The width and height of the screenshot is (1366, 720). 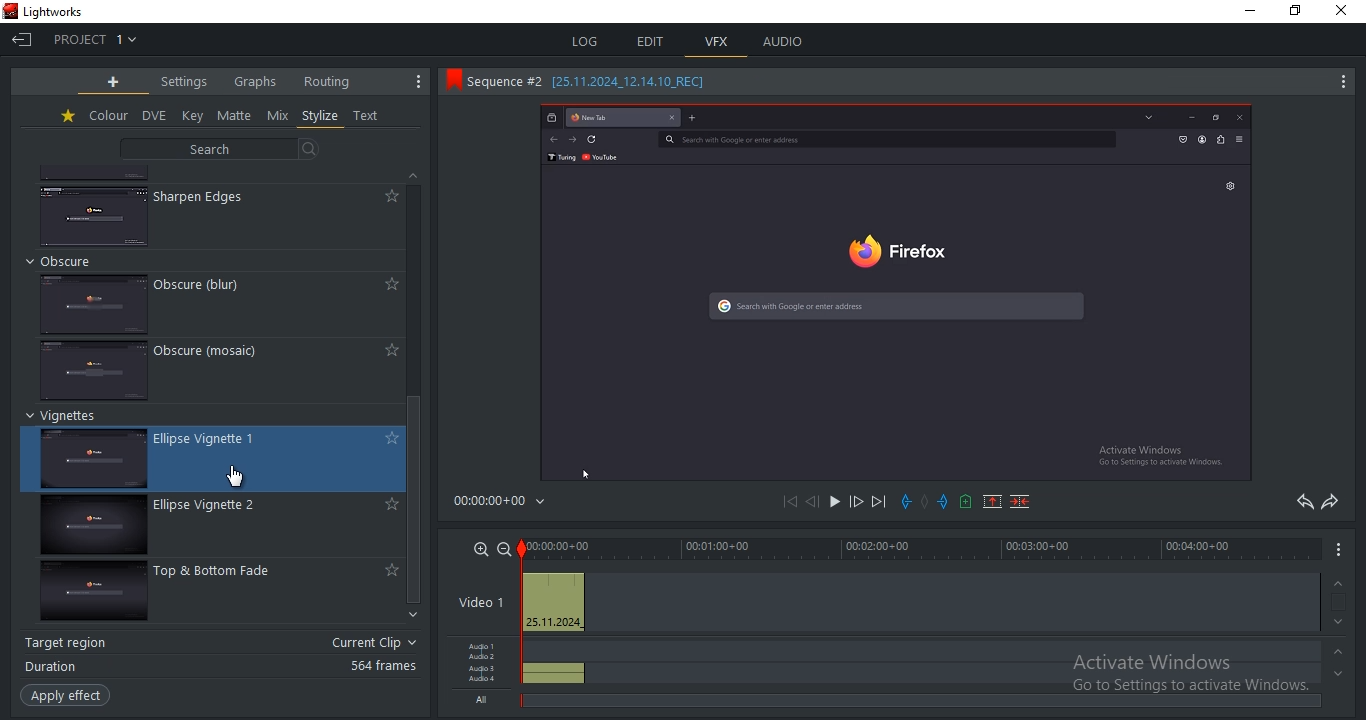 What do you see at coordinates (480, 602) in the screenshot?
I see `Video 1` at bounding box center [480, 602].